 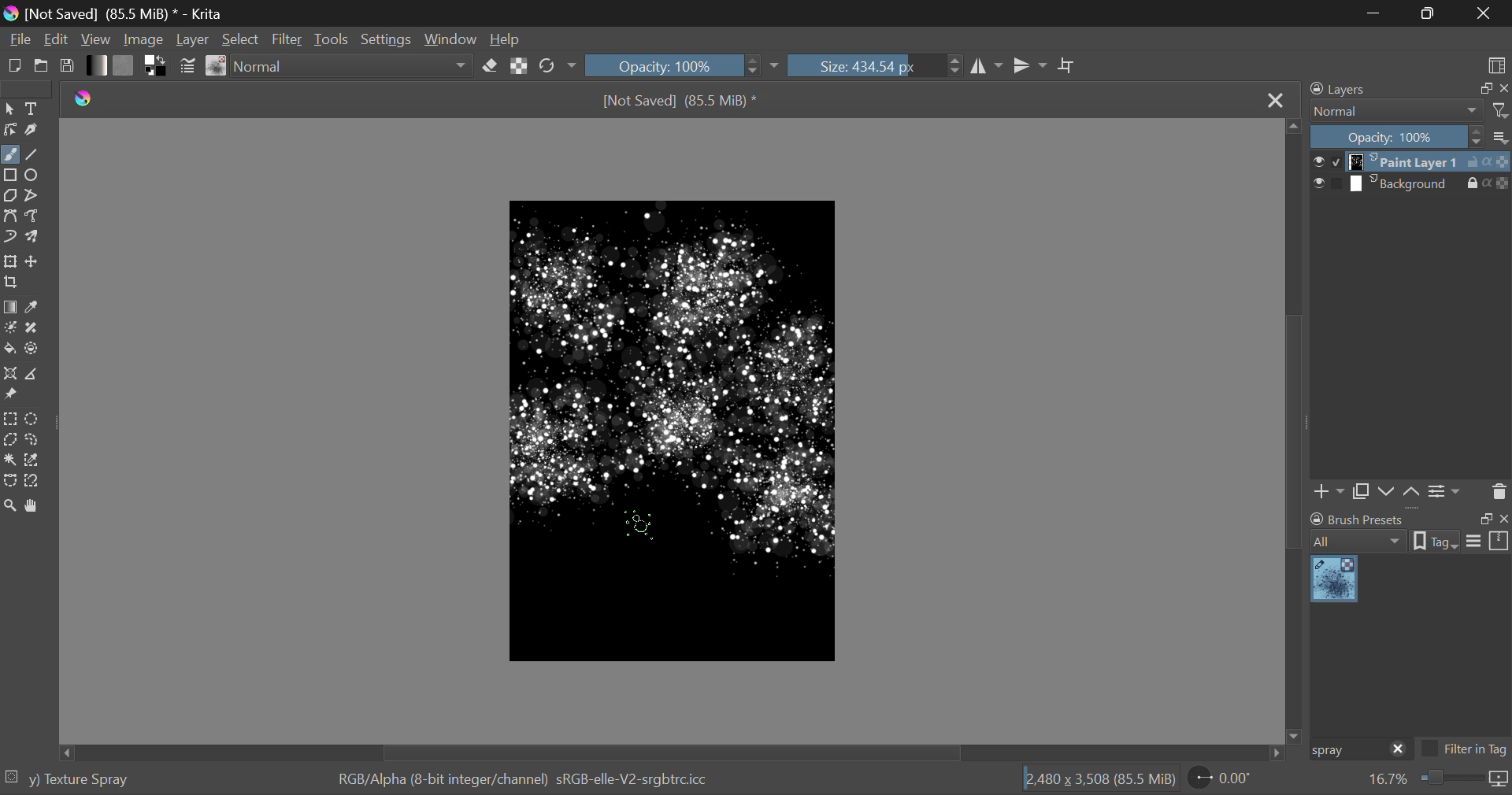 What do you see at coordinates (1360, 542) in the screenshot?
I see `all` at bounding box center [1360, 542].